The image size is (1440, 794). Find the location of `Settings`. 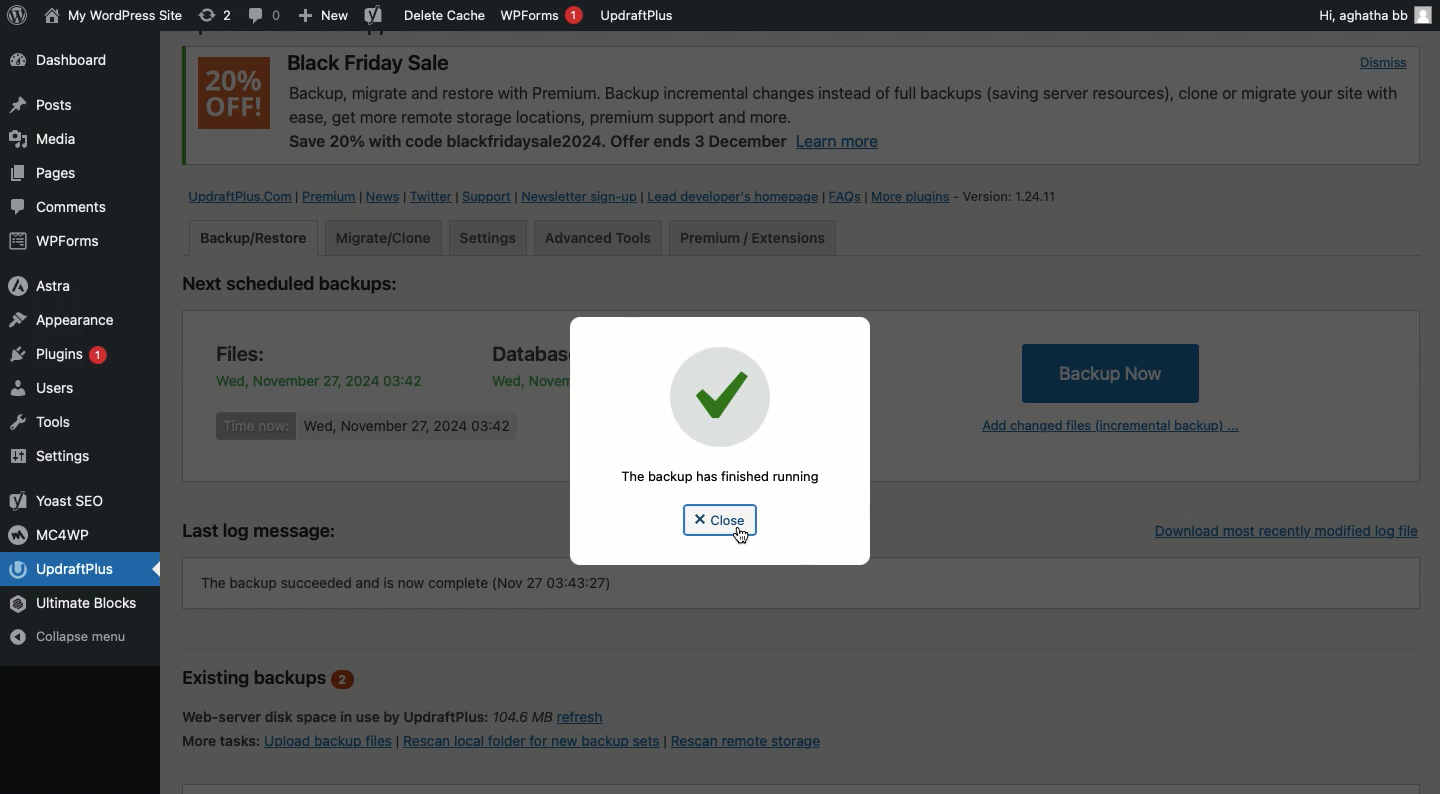

Settings is located at coordinates (490, 237).